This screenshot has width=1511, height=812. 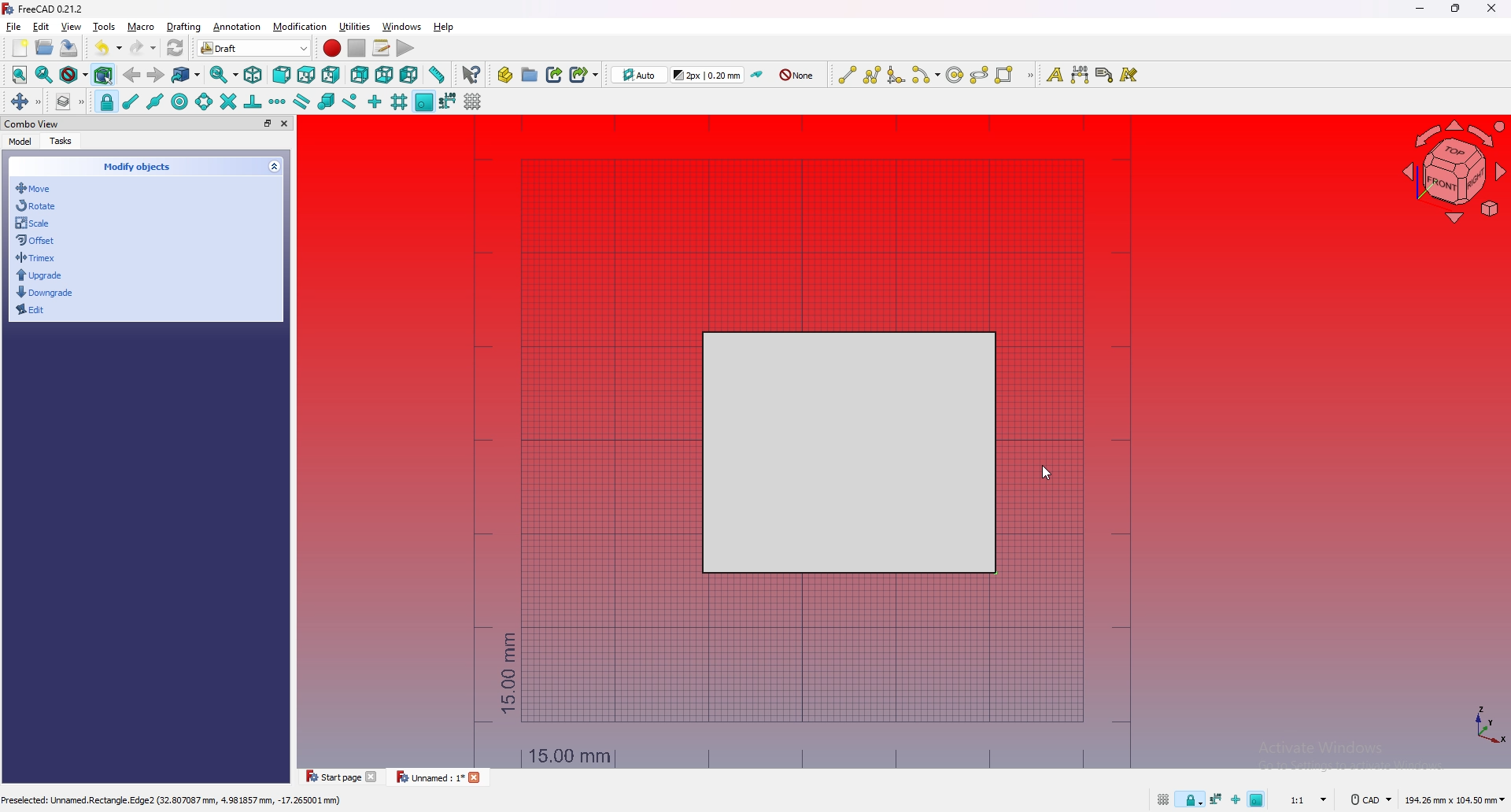 I want to click on snap ortho, so click(x=375, y=102).